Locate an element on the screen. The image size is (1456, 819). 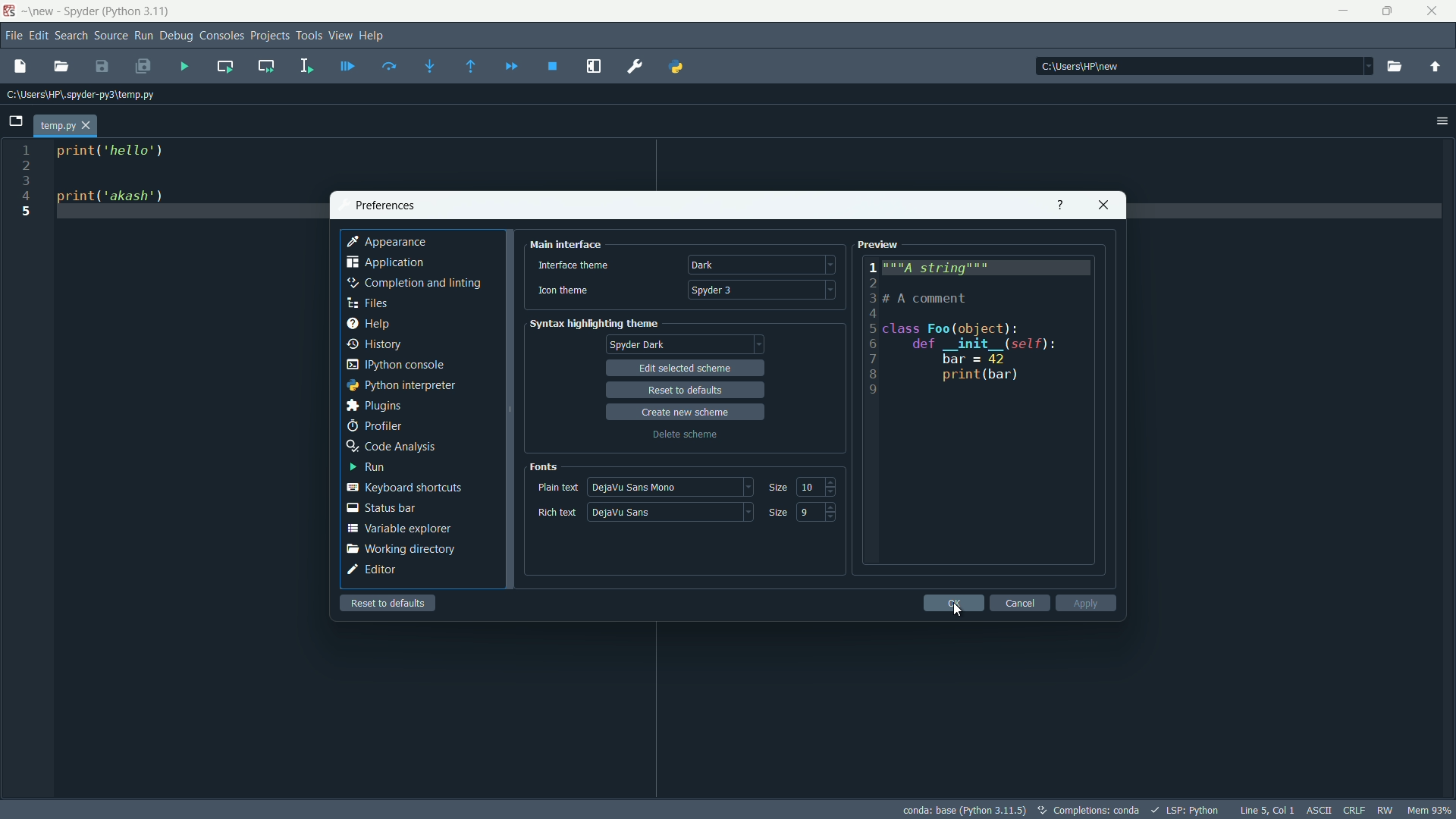
plain text is located at coordinates (558, 487).